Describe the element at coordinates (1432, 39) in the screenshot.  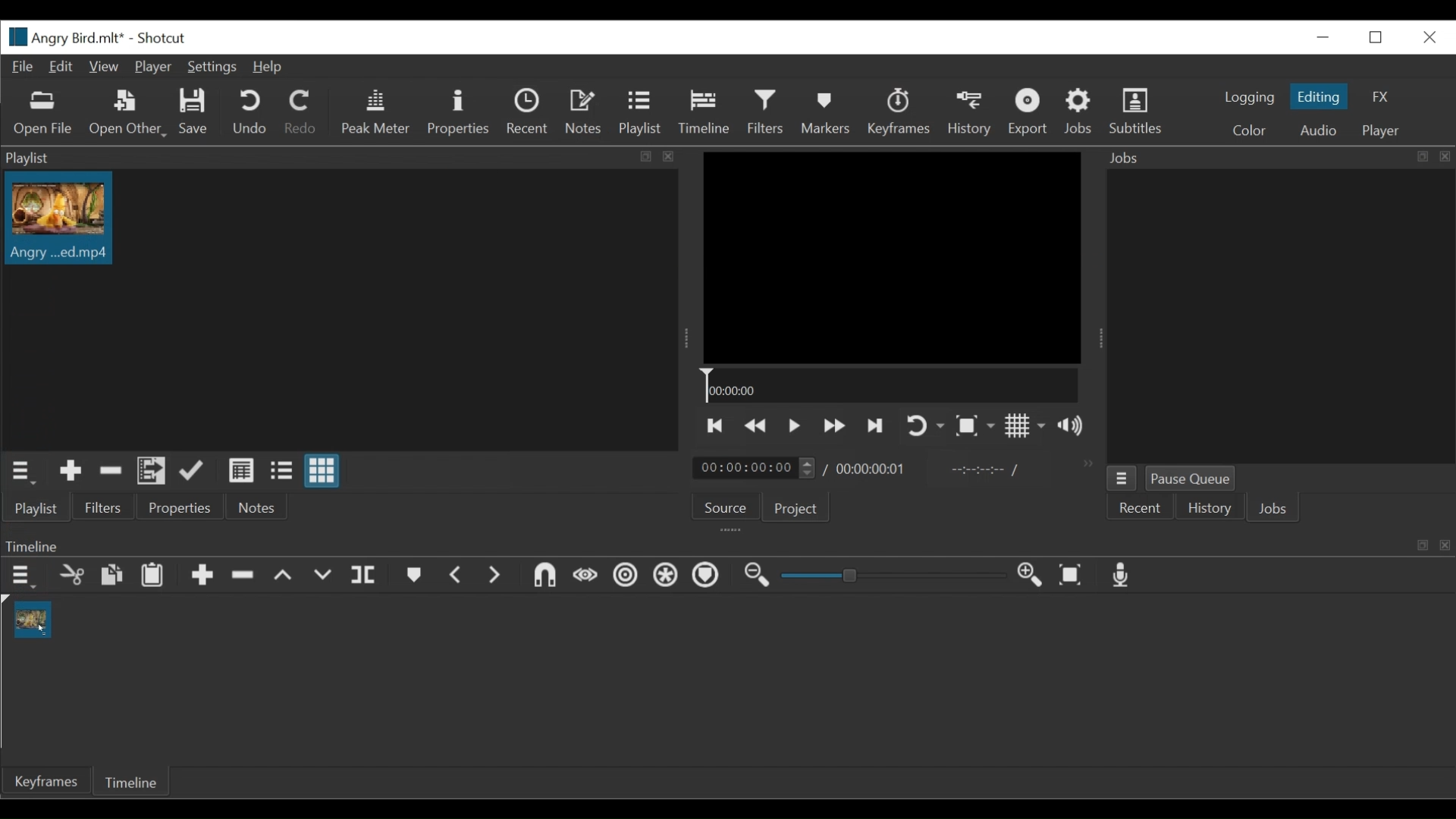
I see `` at that location.